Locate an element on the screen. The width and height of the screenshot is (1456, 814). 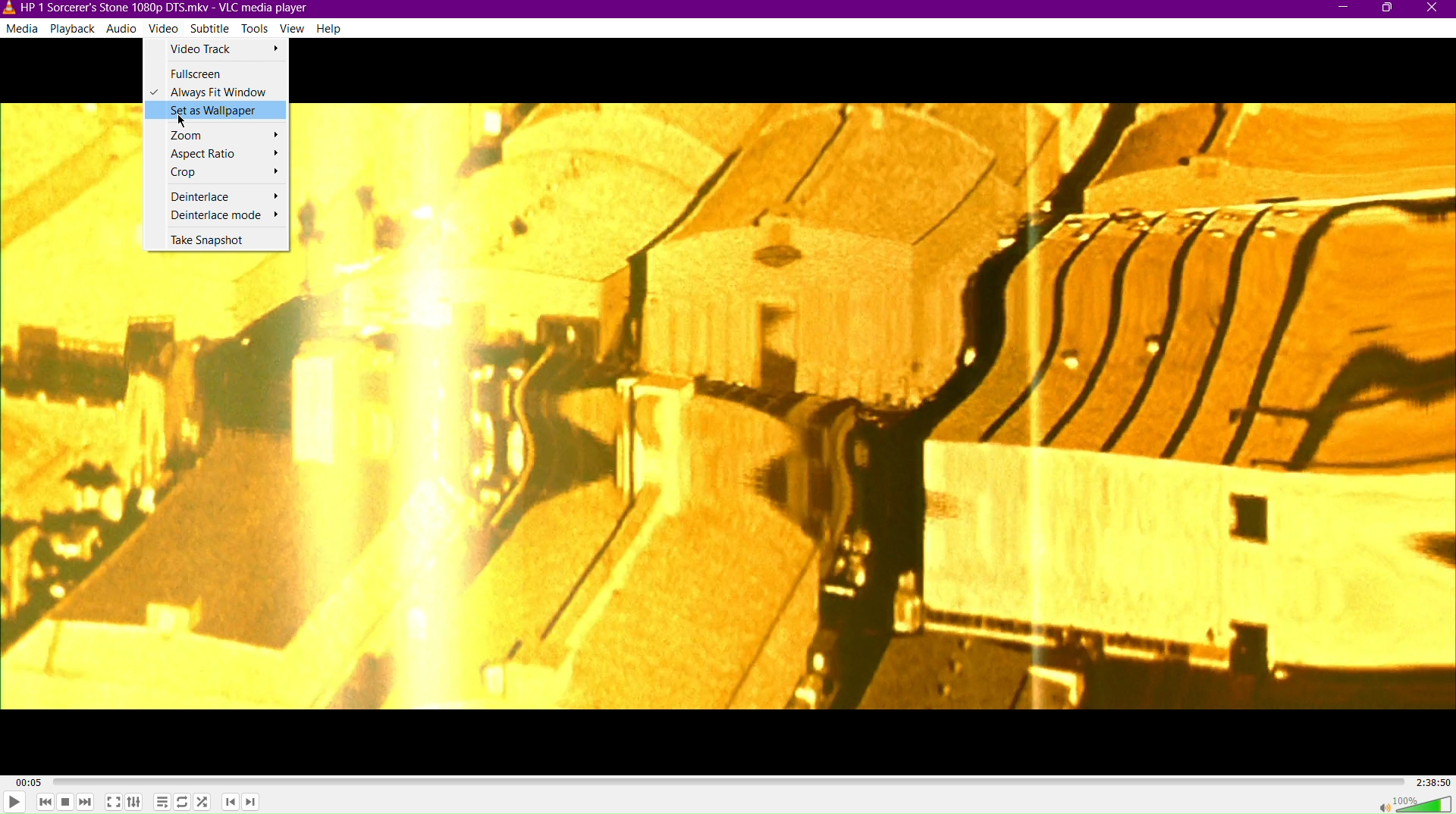
Timeline is located at coordinates (721, 783).